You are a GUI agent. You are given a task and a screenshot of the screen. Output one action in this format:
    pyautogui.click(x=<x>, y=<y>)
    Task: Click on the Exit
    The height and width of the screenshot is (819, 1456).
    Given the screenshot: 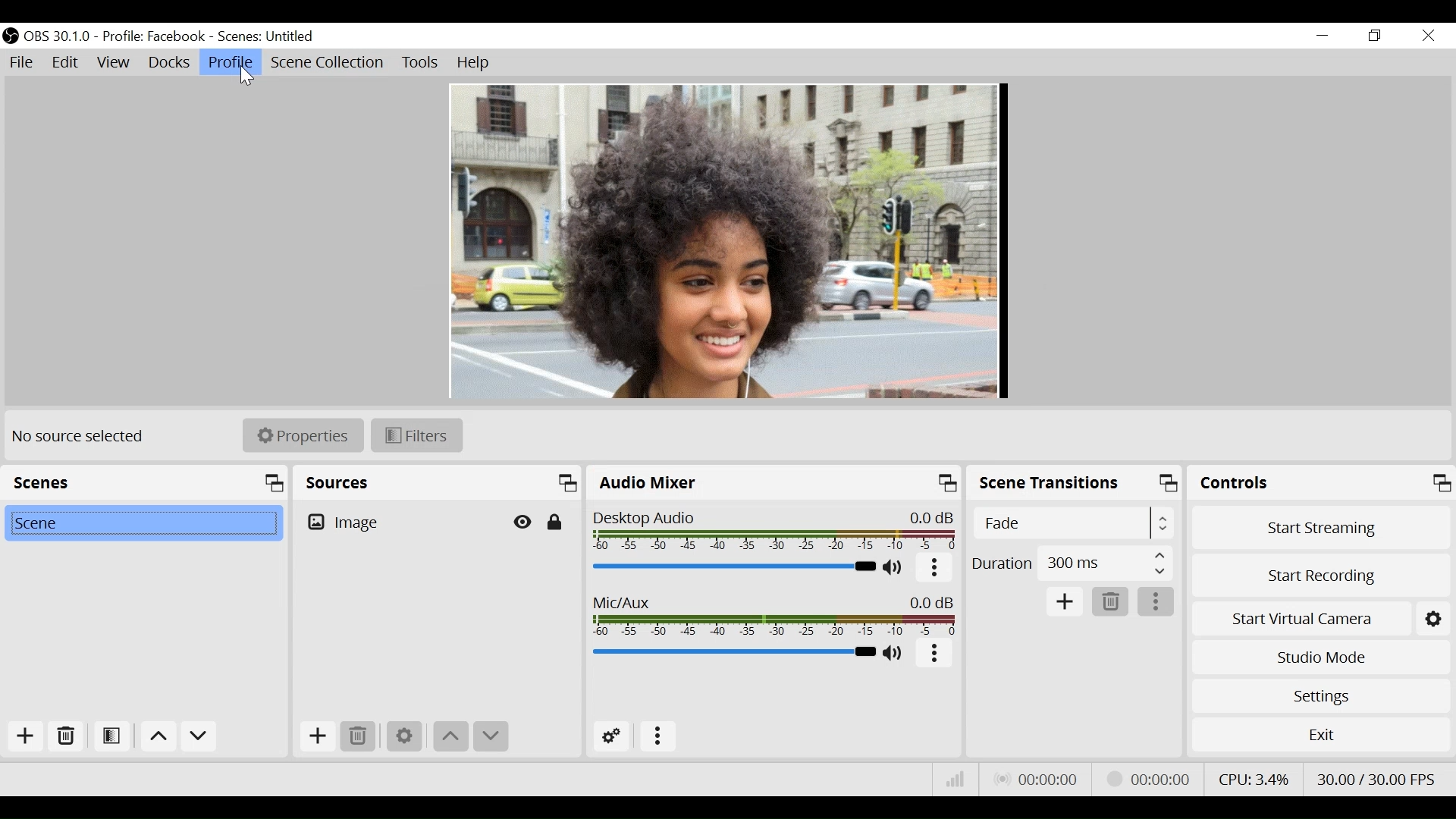 What is the action you would take?
    pyautogui.click(x=1319, y=734)
    